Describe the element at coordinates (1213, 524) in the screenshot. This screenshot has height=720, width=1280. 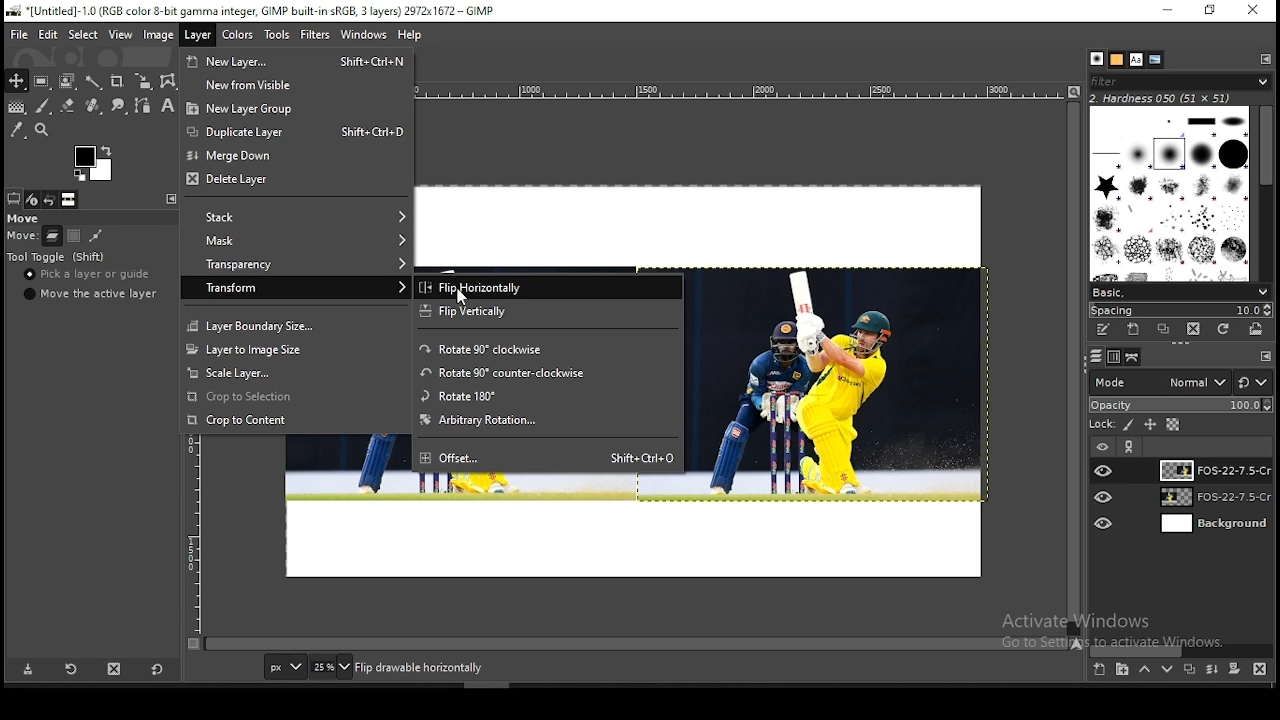
I see `layer` at that location.